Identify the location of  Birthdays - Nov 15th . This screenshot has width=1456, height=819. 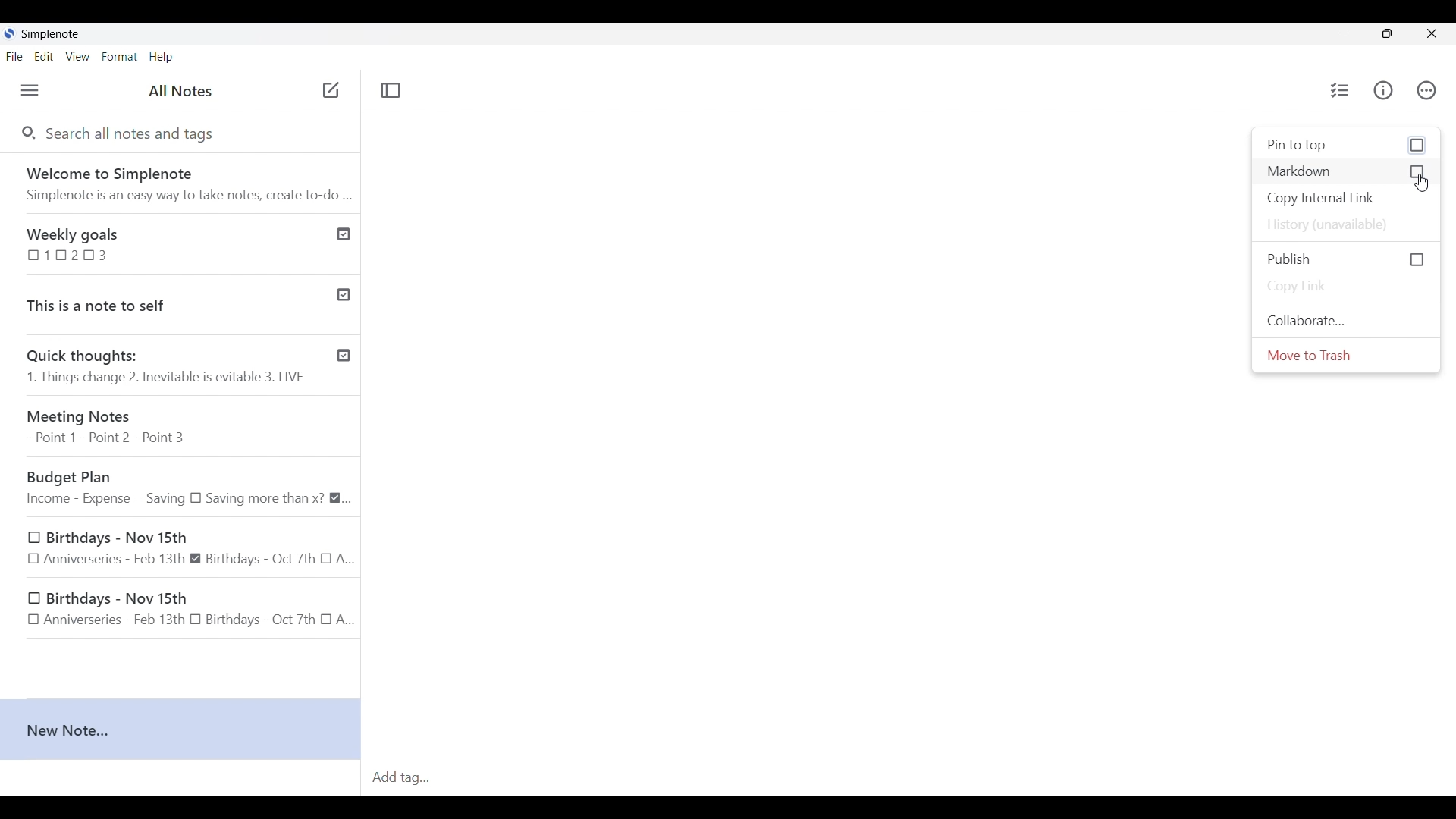
(190, 548).